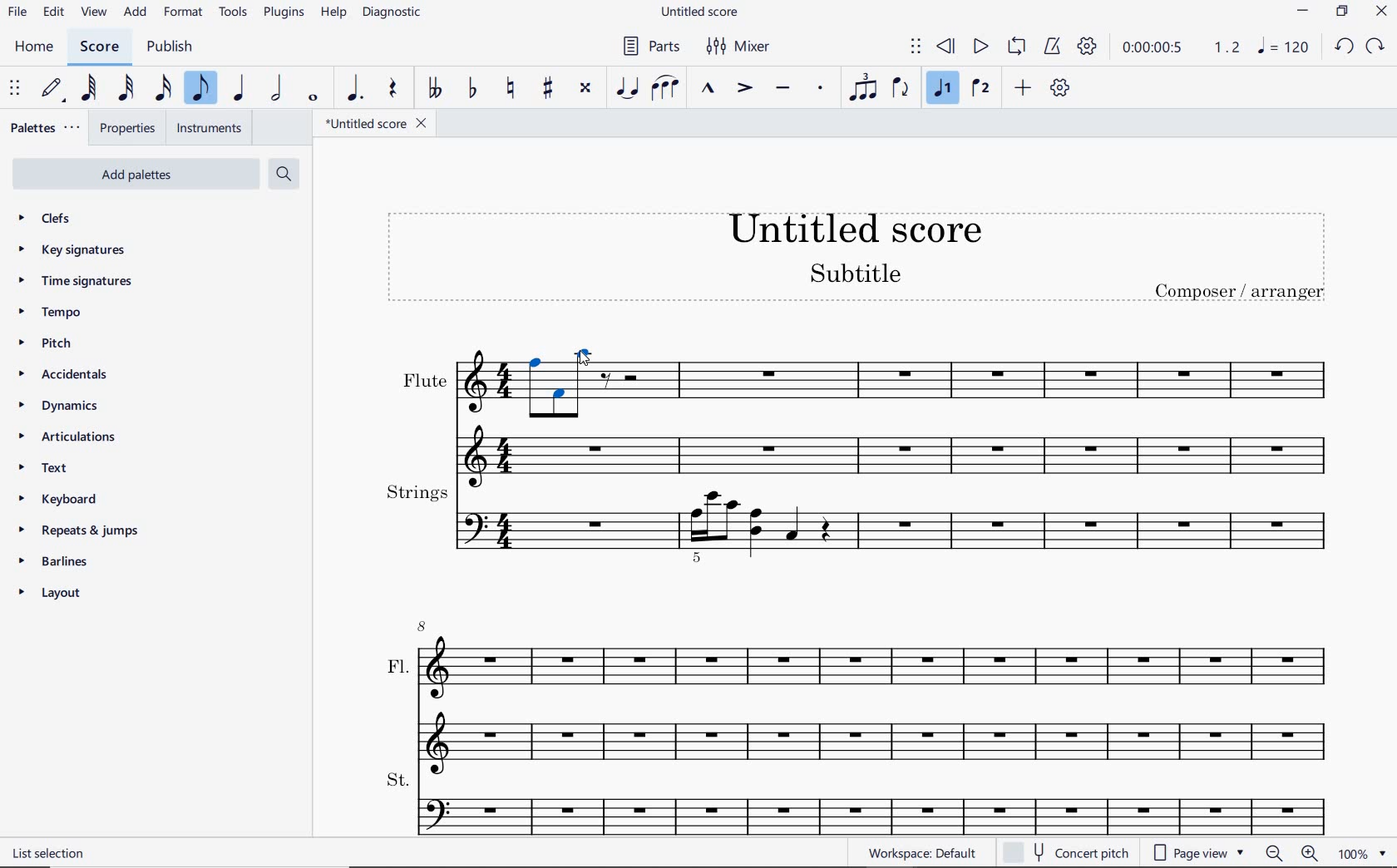 This screenshot has height=868, width=1397. Describe the element at coordinates (1016, 47) in the screenshot. I see `LOOP PLAYBACK` at that location.